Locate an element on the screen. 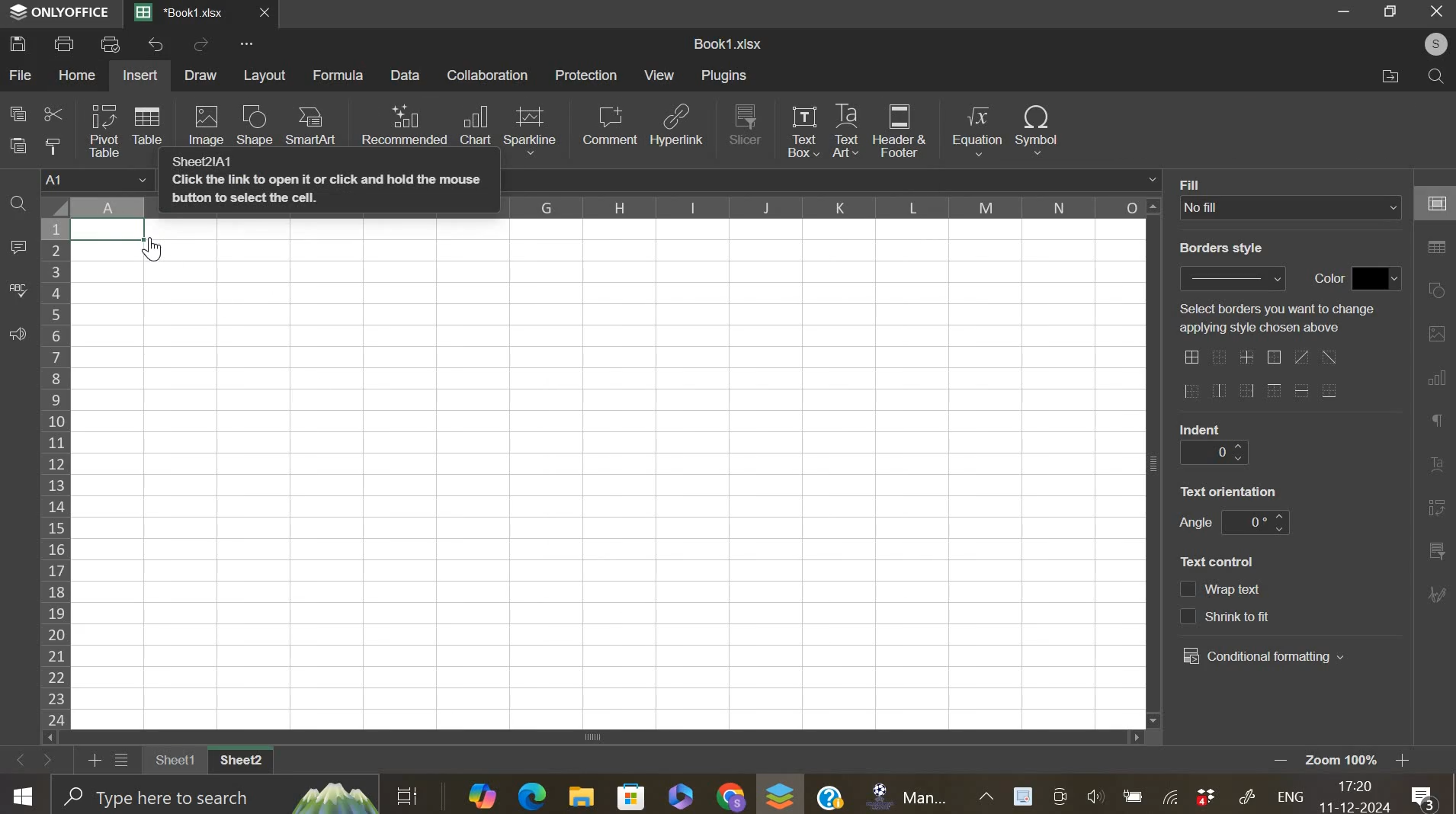 The image size is (1456, 814). files is located at coordinates (1390, 76).